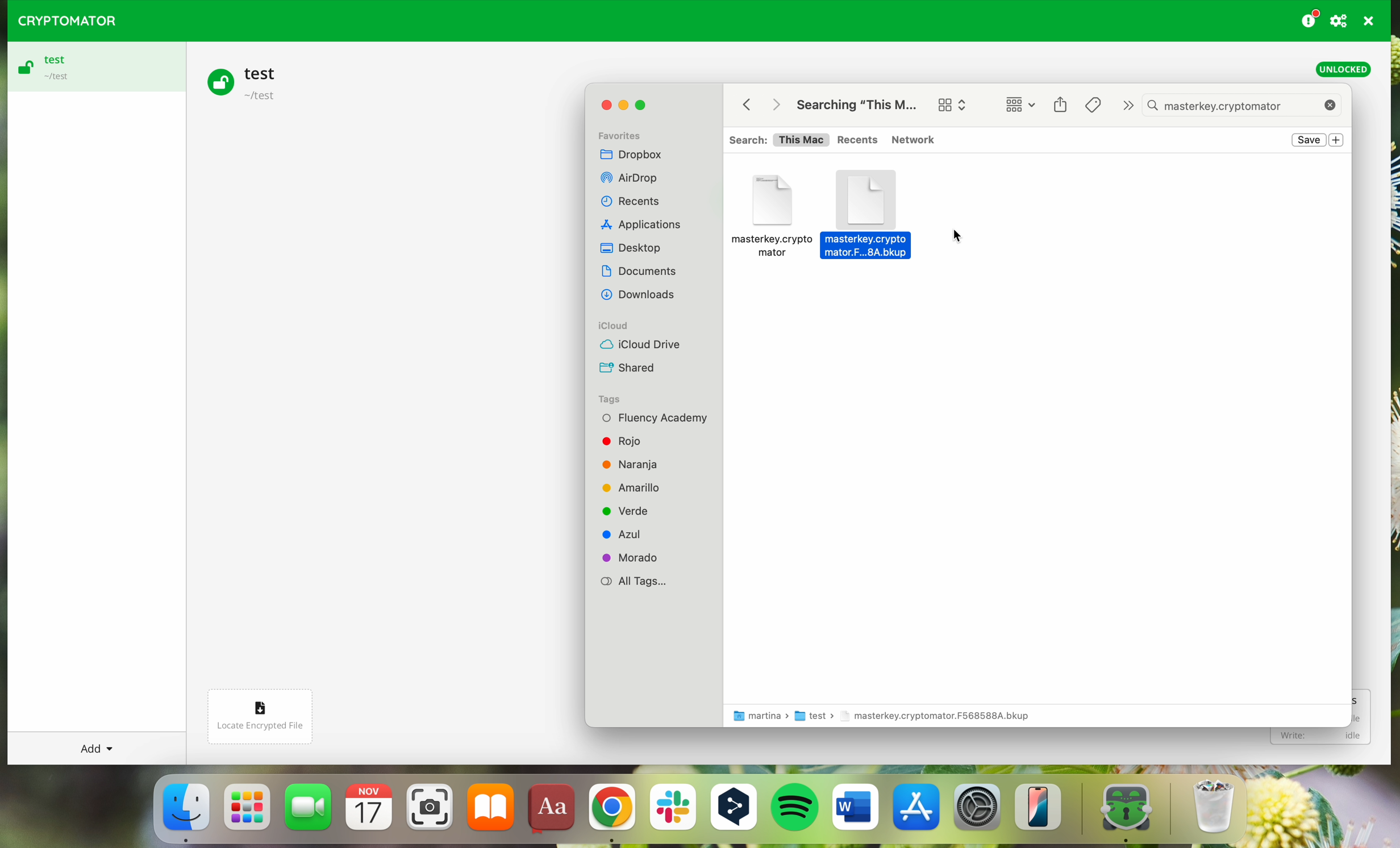 This screenshot has height=848, width=1400. What do you see at coordinates (1369, 21) in the screenshot?
I see `quit program` at bounding box center [1369, 21].